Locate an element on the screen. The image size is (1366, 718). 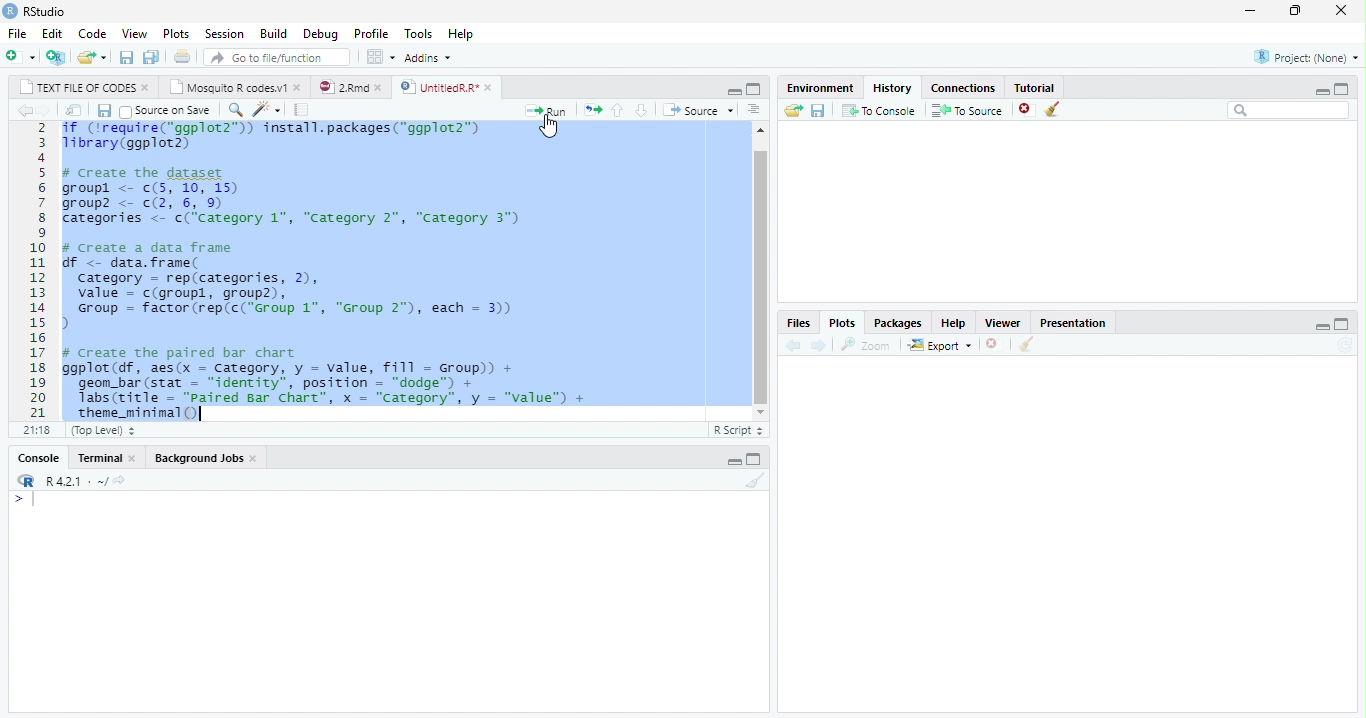
print current file is located at coordinates (185, 57).